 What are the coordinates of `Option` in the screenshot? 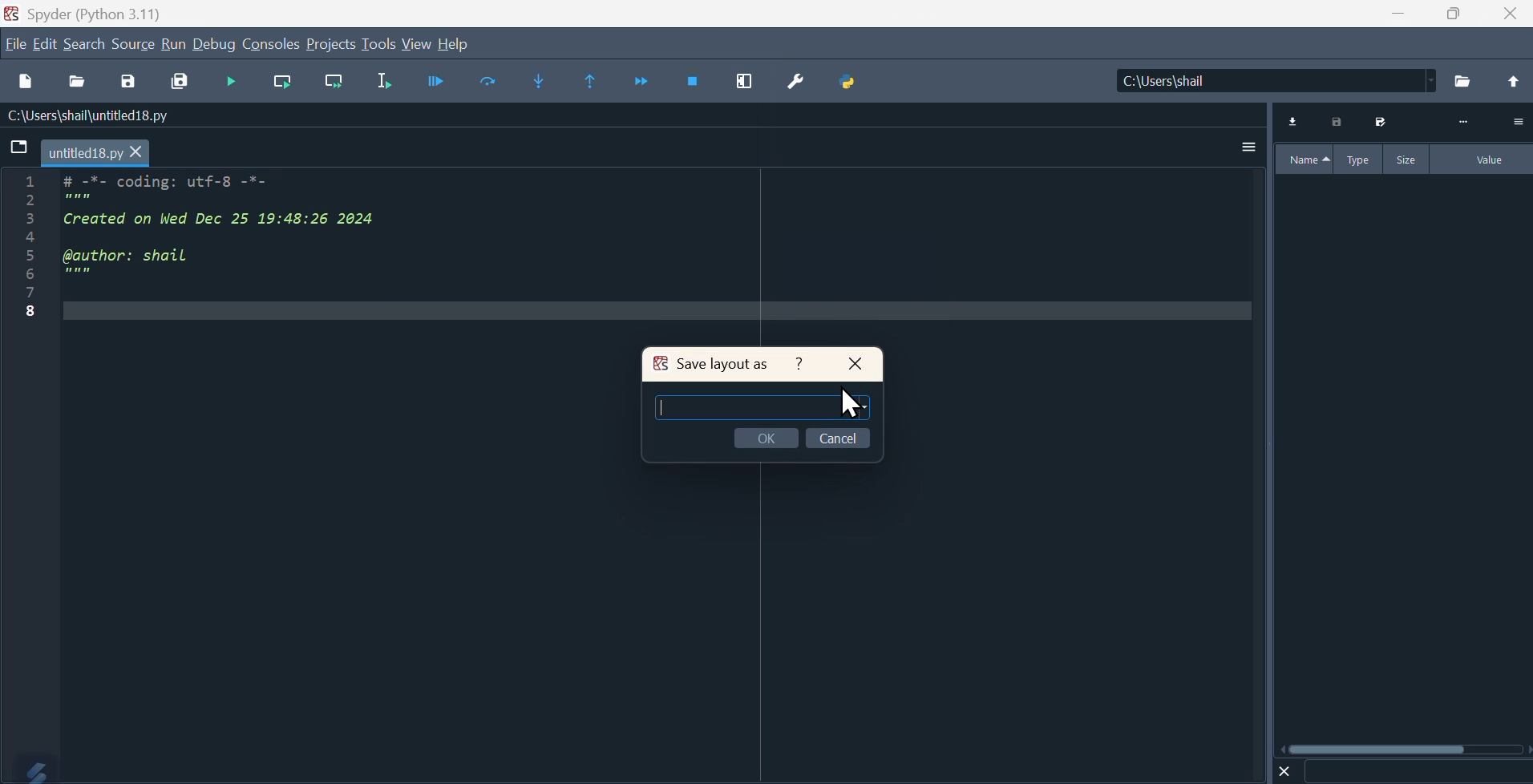 It's located at (1517, 121).